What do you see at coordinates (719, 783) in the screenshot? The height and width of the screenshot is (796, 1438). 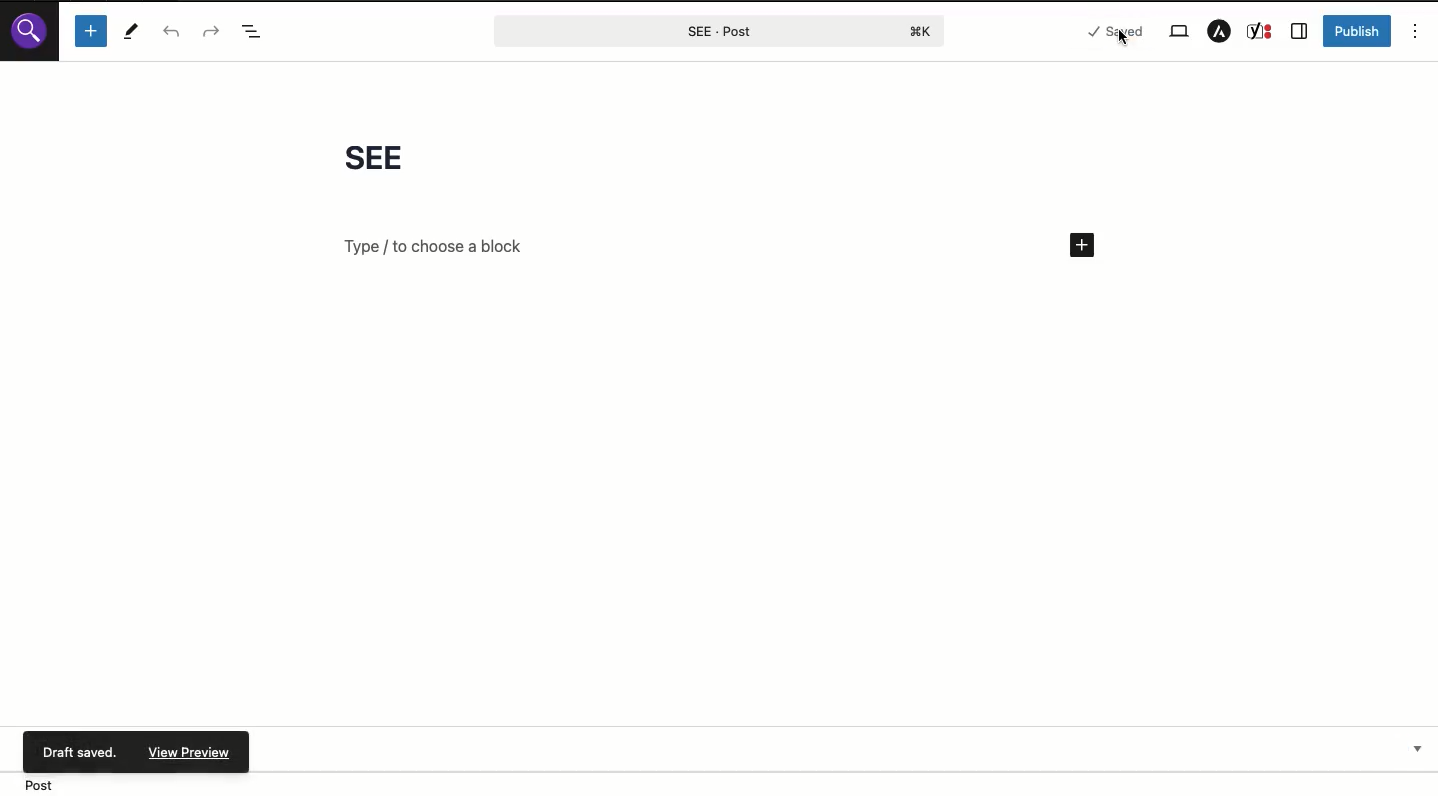 I see `Location` at bounding box center [719, 783].